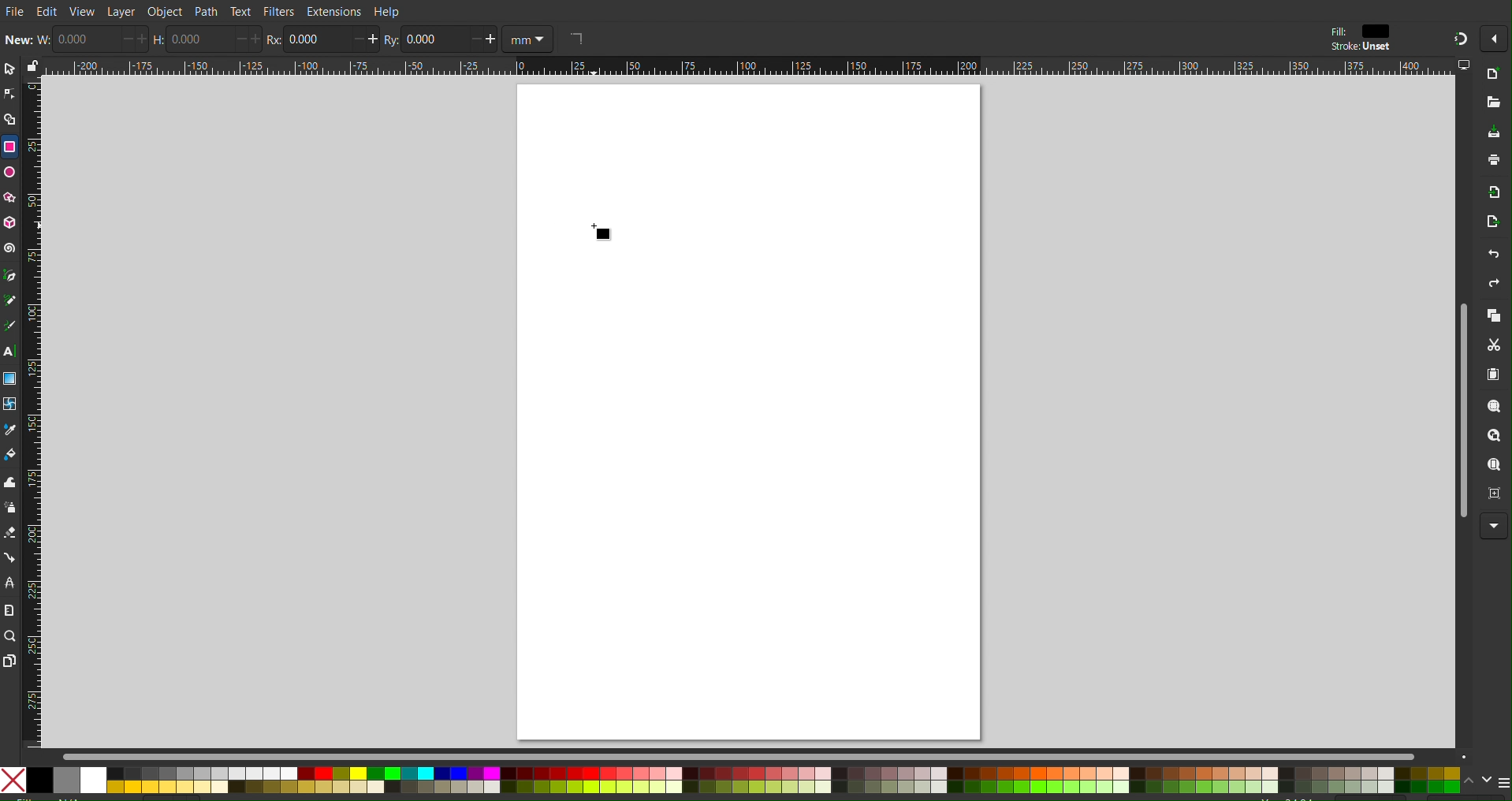 This screenshot has width=1512, height=801. Describe the element at coordinates (249, 39) in the screenshot. I see `increase/decrease` at that location.